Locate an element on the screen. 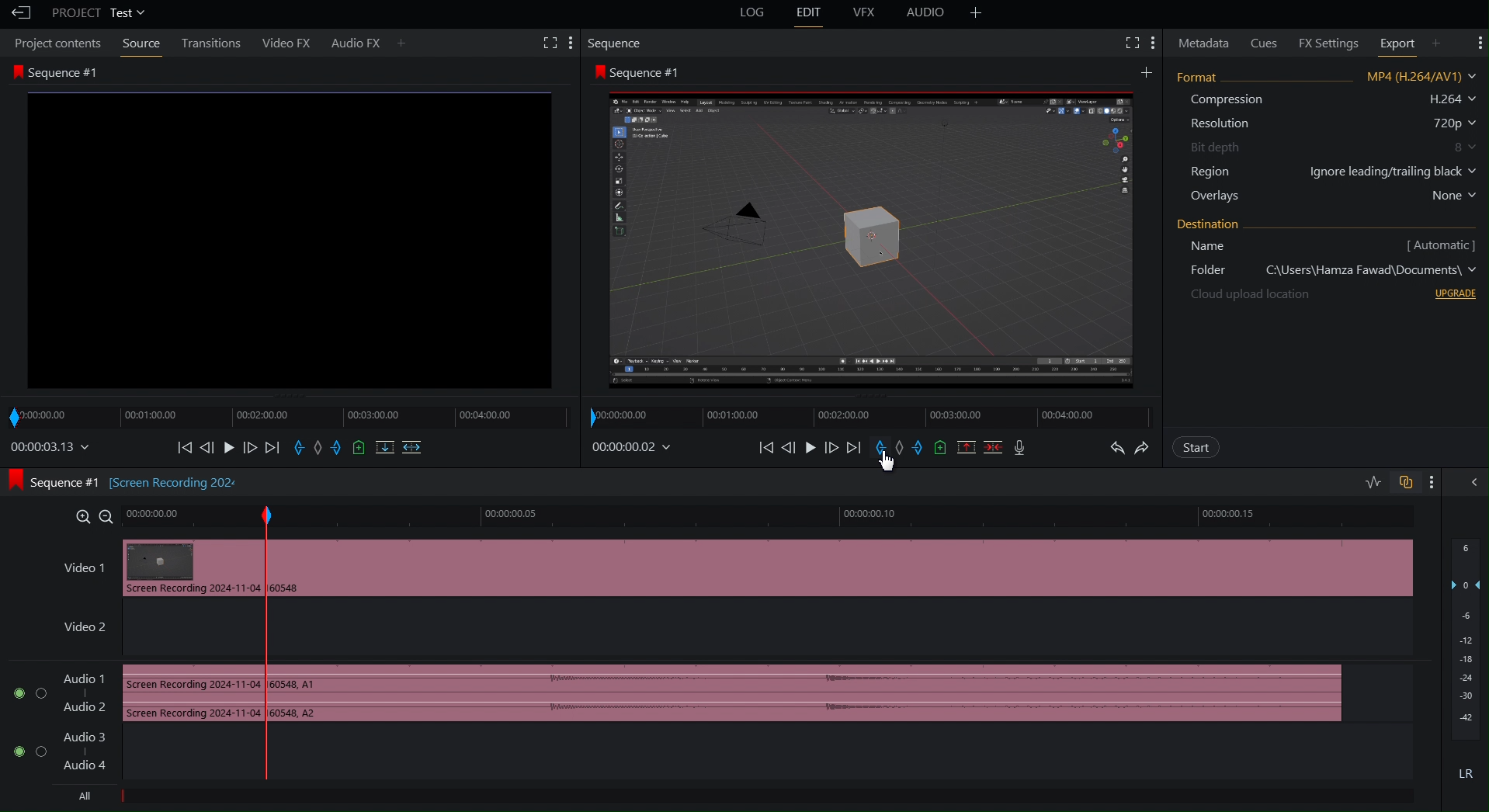 Image resolution: width=1489 pixels, height=812 pixels. Exit Marker is located at coordinates (922, 448).